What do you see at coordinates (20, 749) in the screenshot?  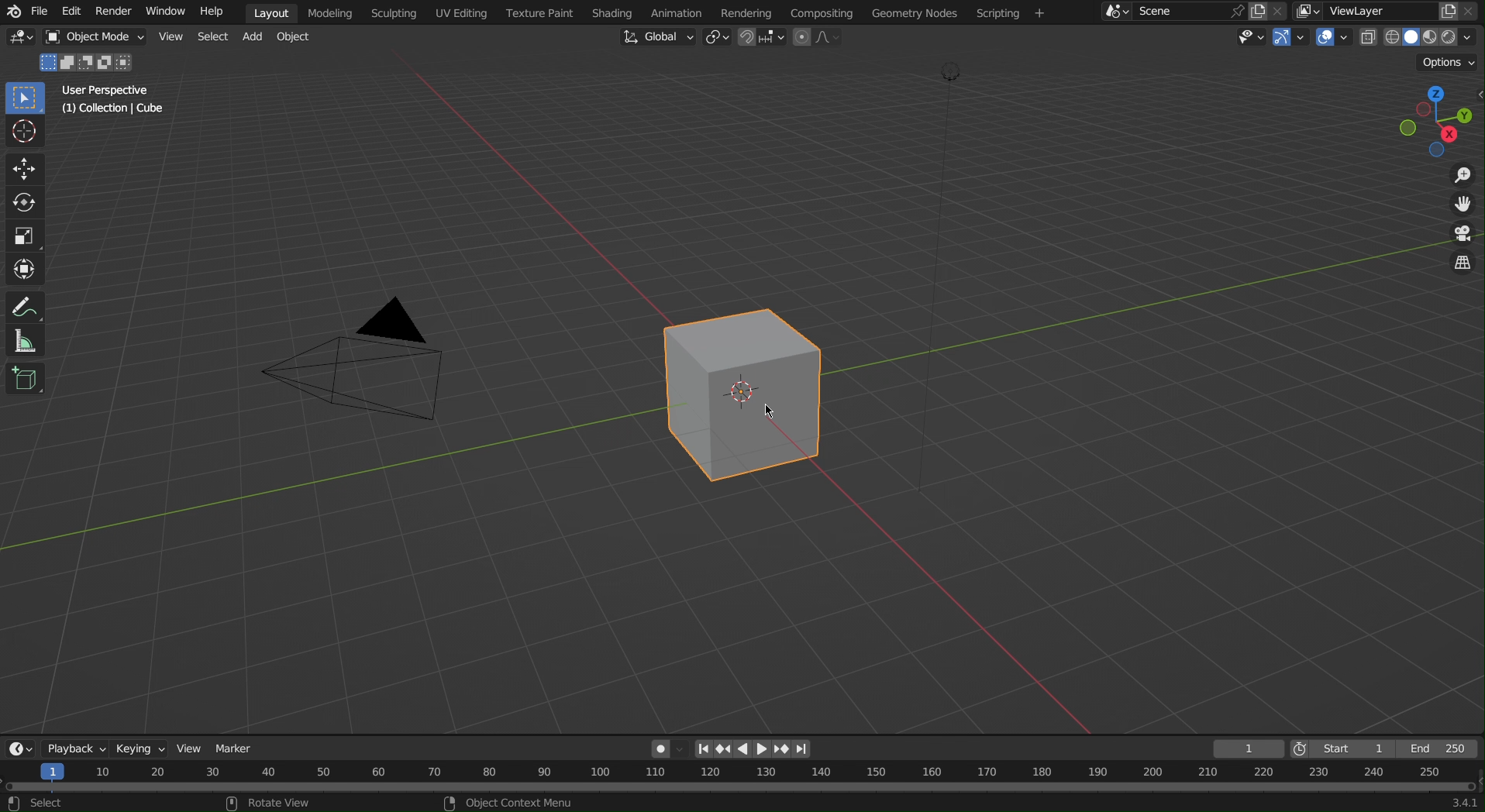 I see `Editor Type` at bounding box center [20, 749].